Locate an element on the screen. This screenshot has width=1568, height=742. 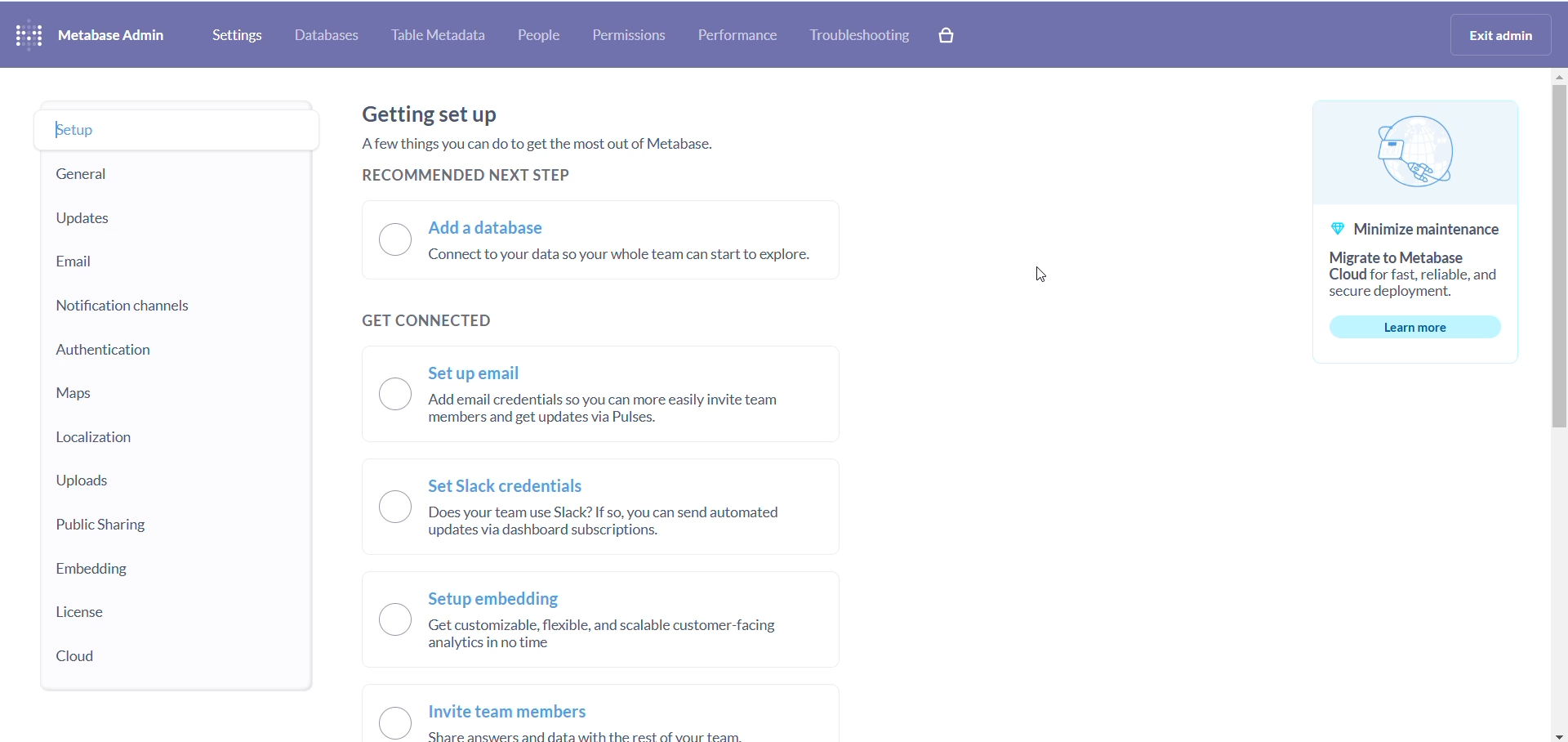
cloud is located at coordinates (102, 658).